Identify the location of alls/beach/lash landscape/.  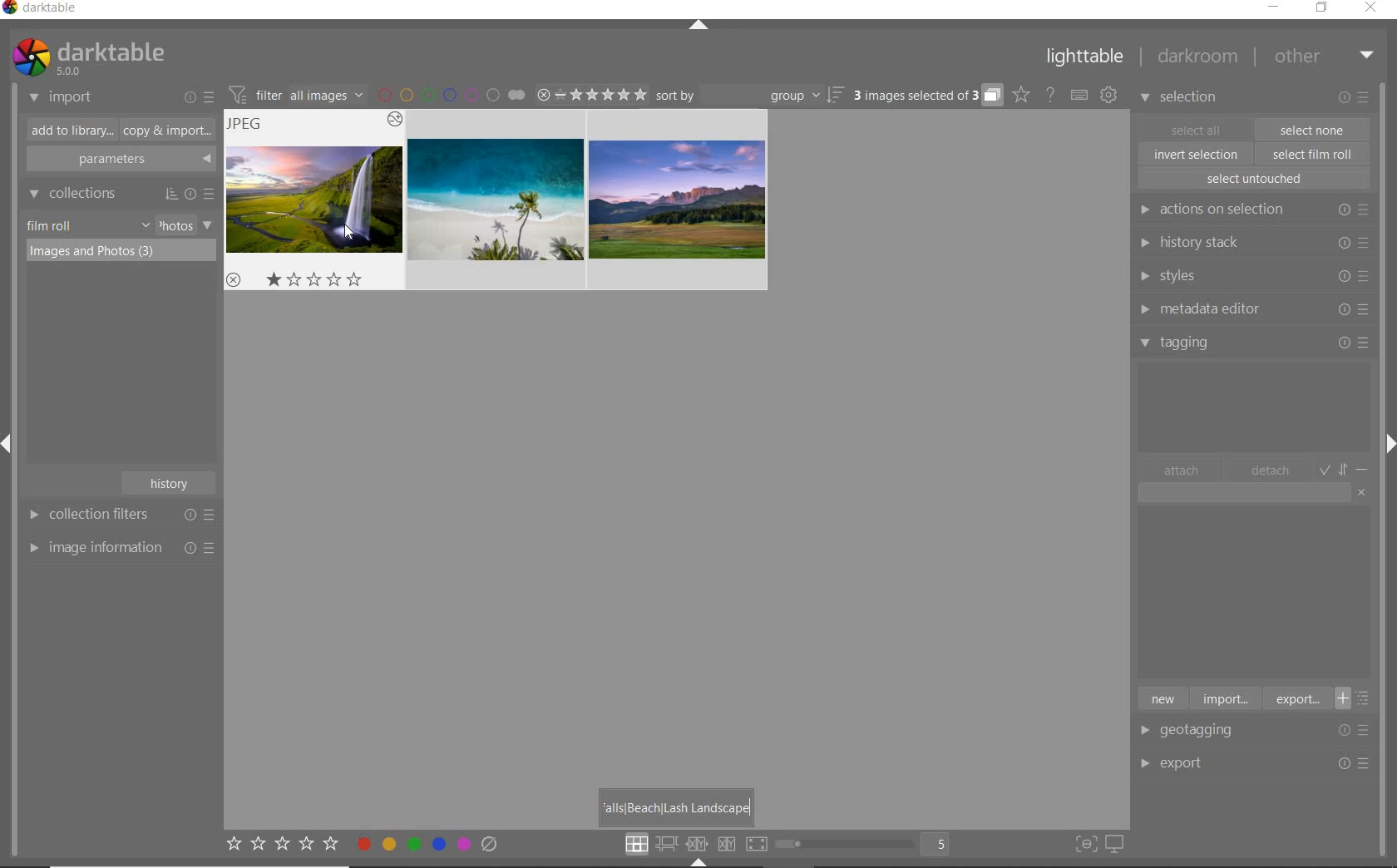
(679, 805).